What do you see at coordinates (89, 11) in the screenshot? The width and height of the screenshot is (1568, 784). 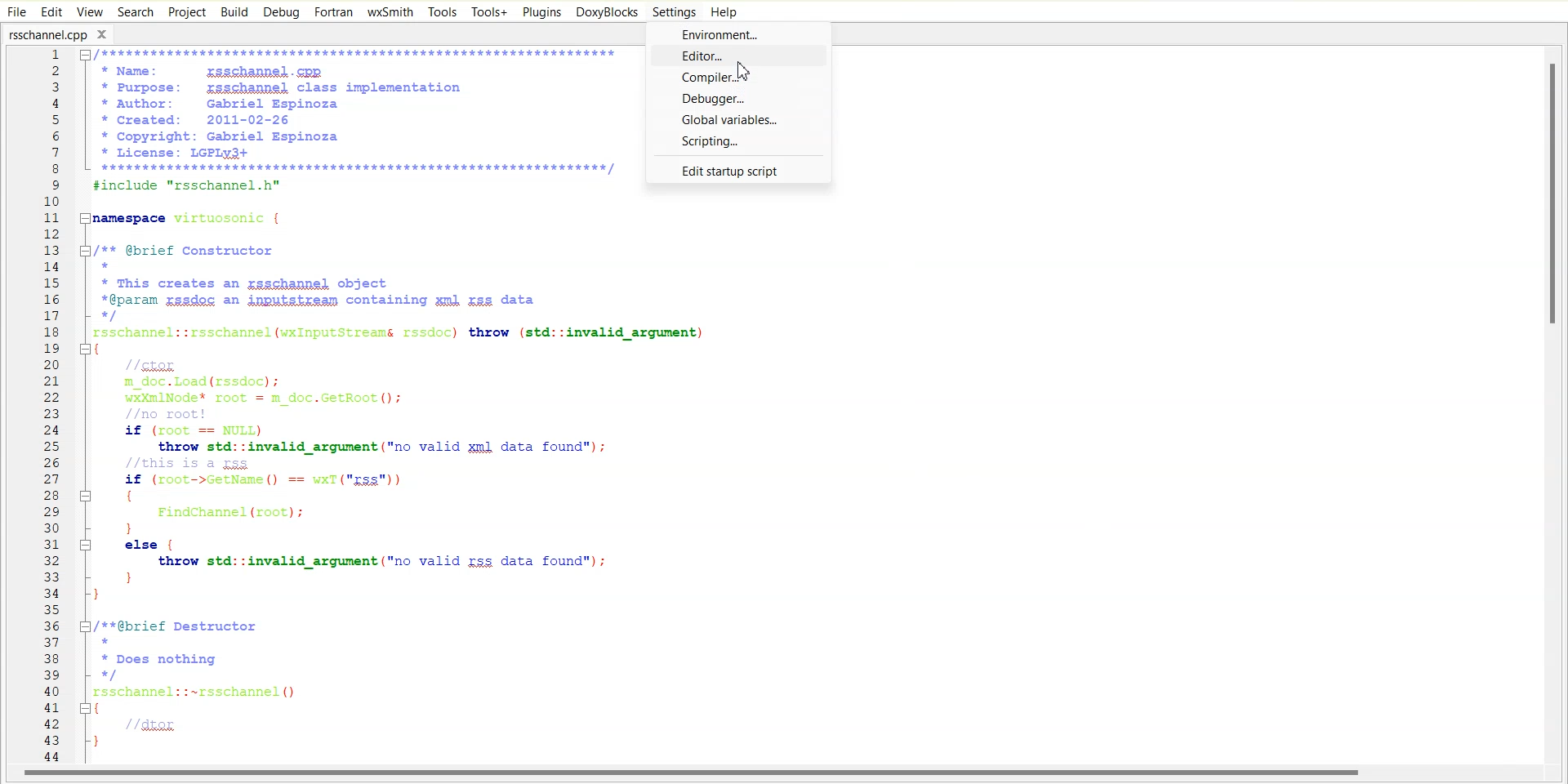 I see `View` at bounding box center [89, 11].